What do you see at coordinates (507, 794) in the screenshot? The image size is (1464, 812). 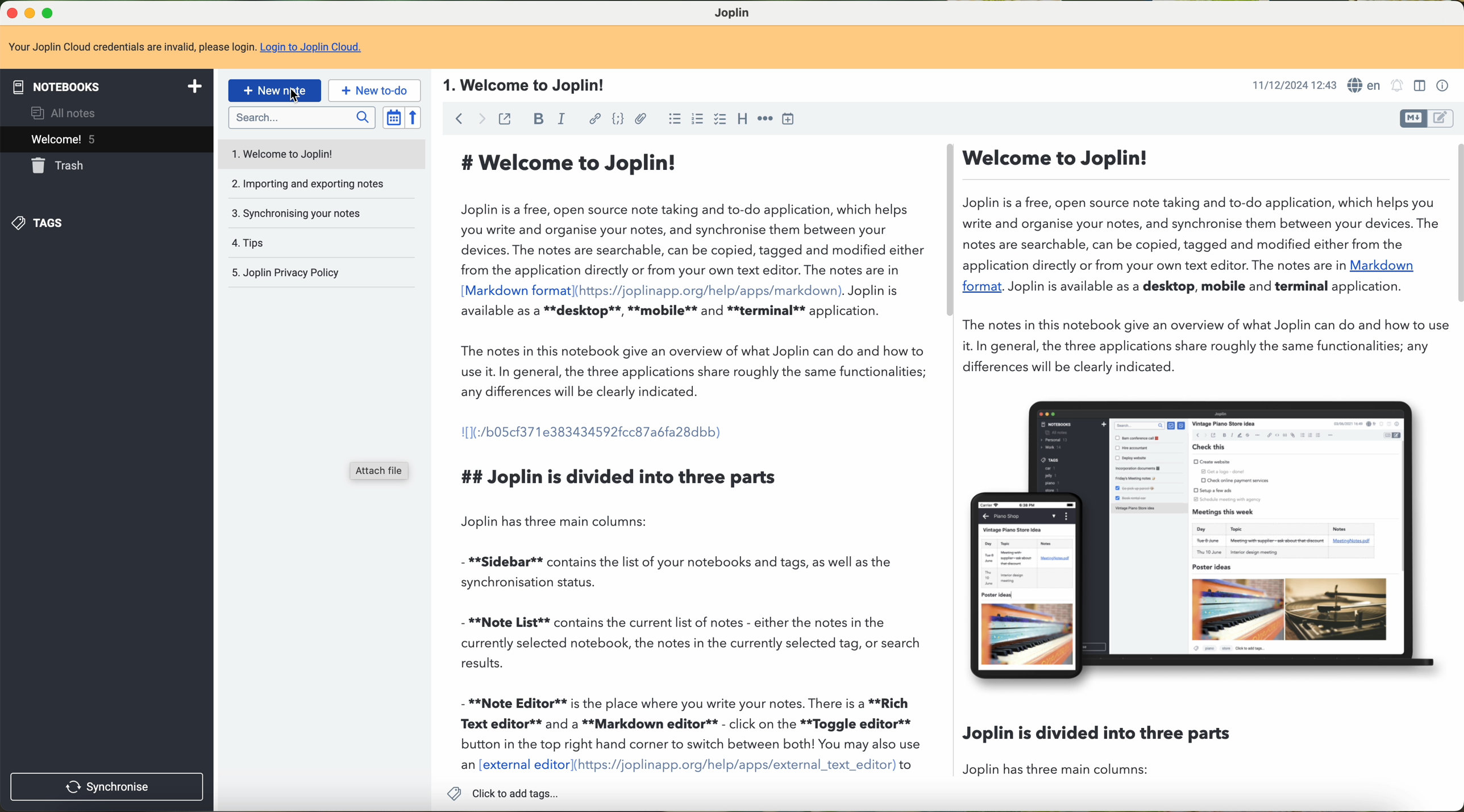 I see `click add to tags` at bounding box center [507, 794].